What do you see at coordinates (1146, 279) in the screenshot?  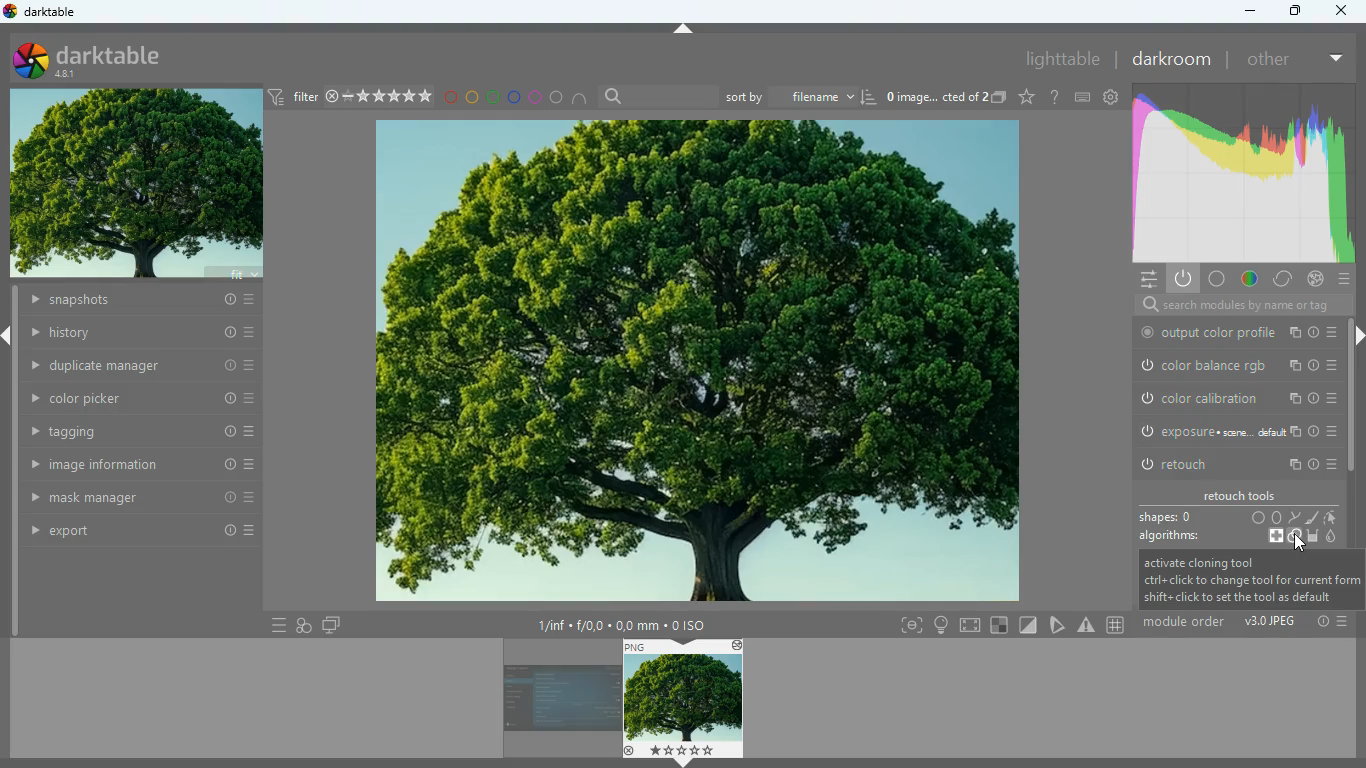 I see `settings` at bounding box center [1146, 279].